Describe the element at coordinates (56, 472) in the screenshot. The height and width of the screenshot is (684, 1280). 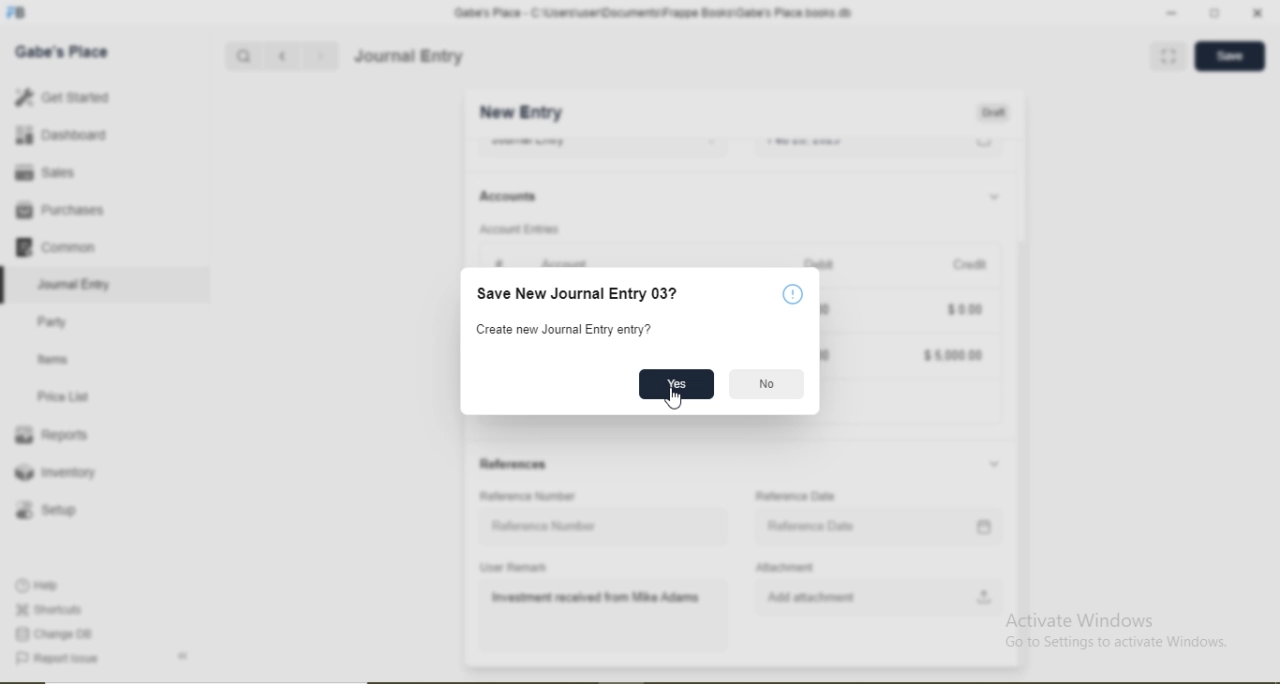
I see `Inventory` at that location.